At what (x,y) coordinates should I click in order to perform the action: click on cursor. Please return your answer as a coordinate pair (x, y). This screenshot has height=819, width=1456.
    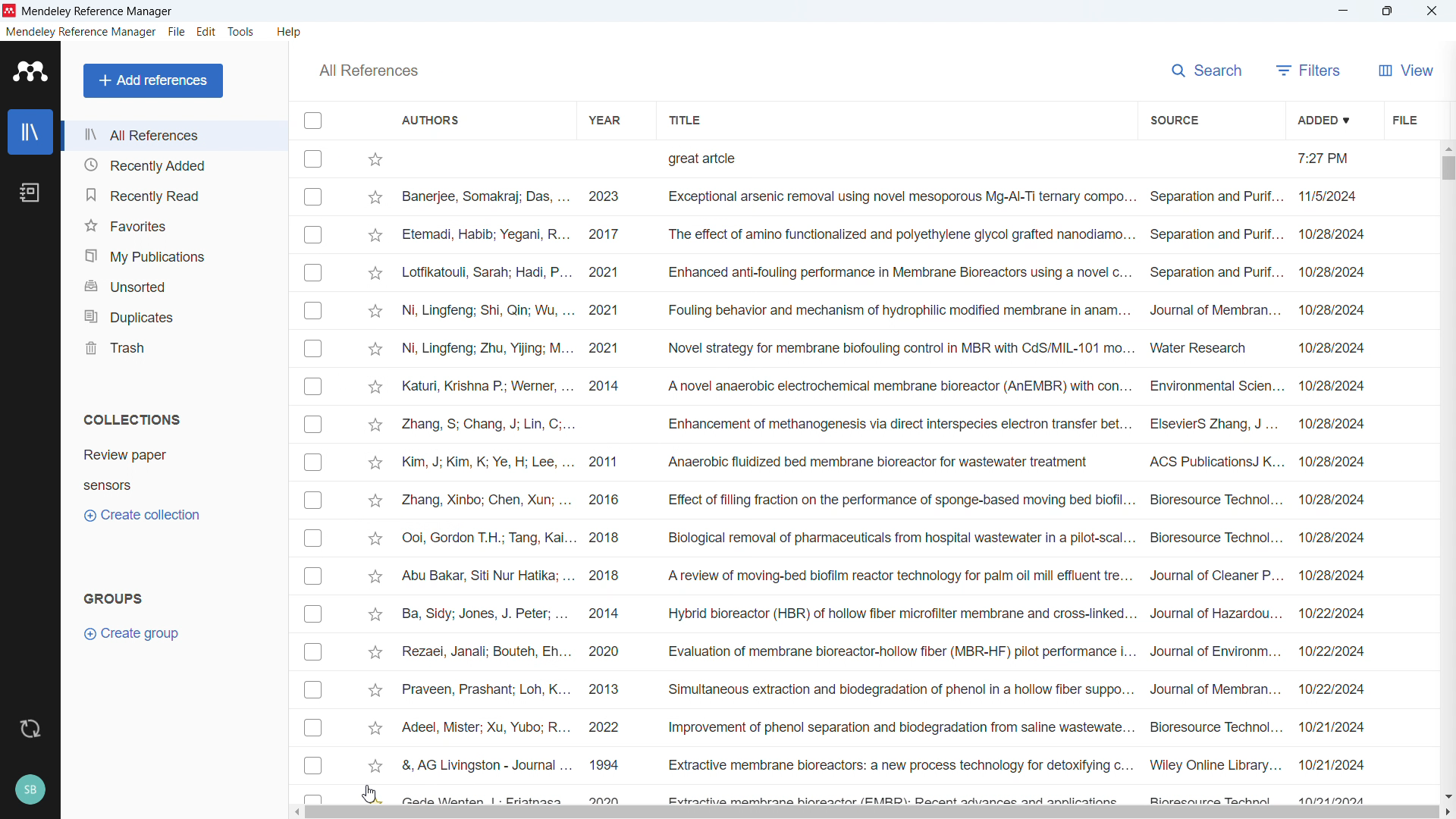
    Looking at the image, I should click on (370, 792).